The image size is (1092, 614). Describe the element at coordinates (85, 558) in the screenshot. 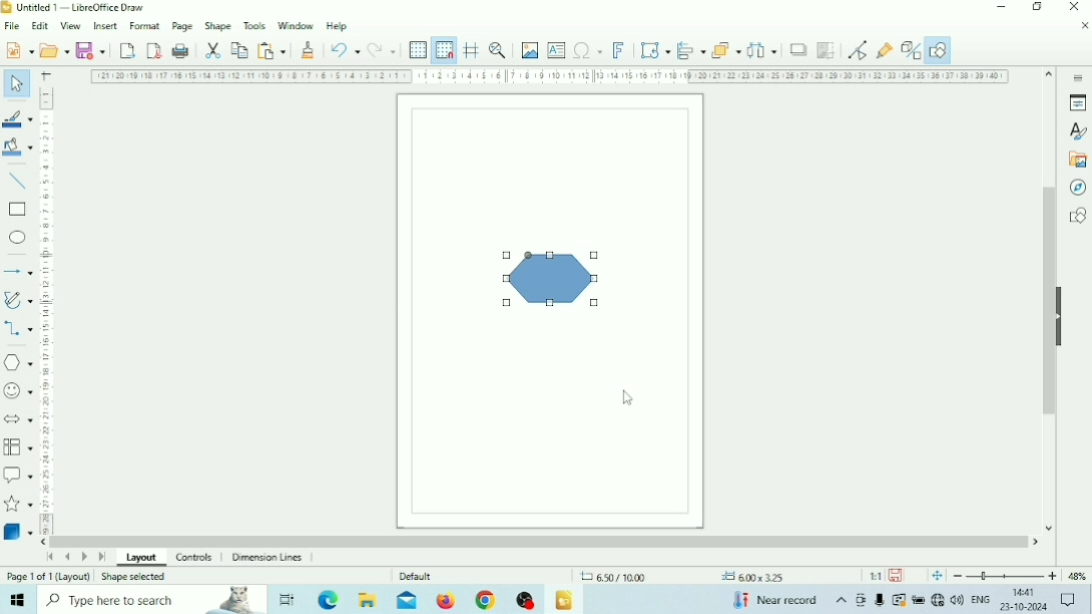

I see `Scroll to next page` at that location.